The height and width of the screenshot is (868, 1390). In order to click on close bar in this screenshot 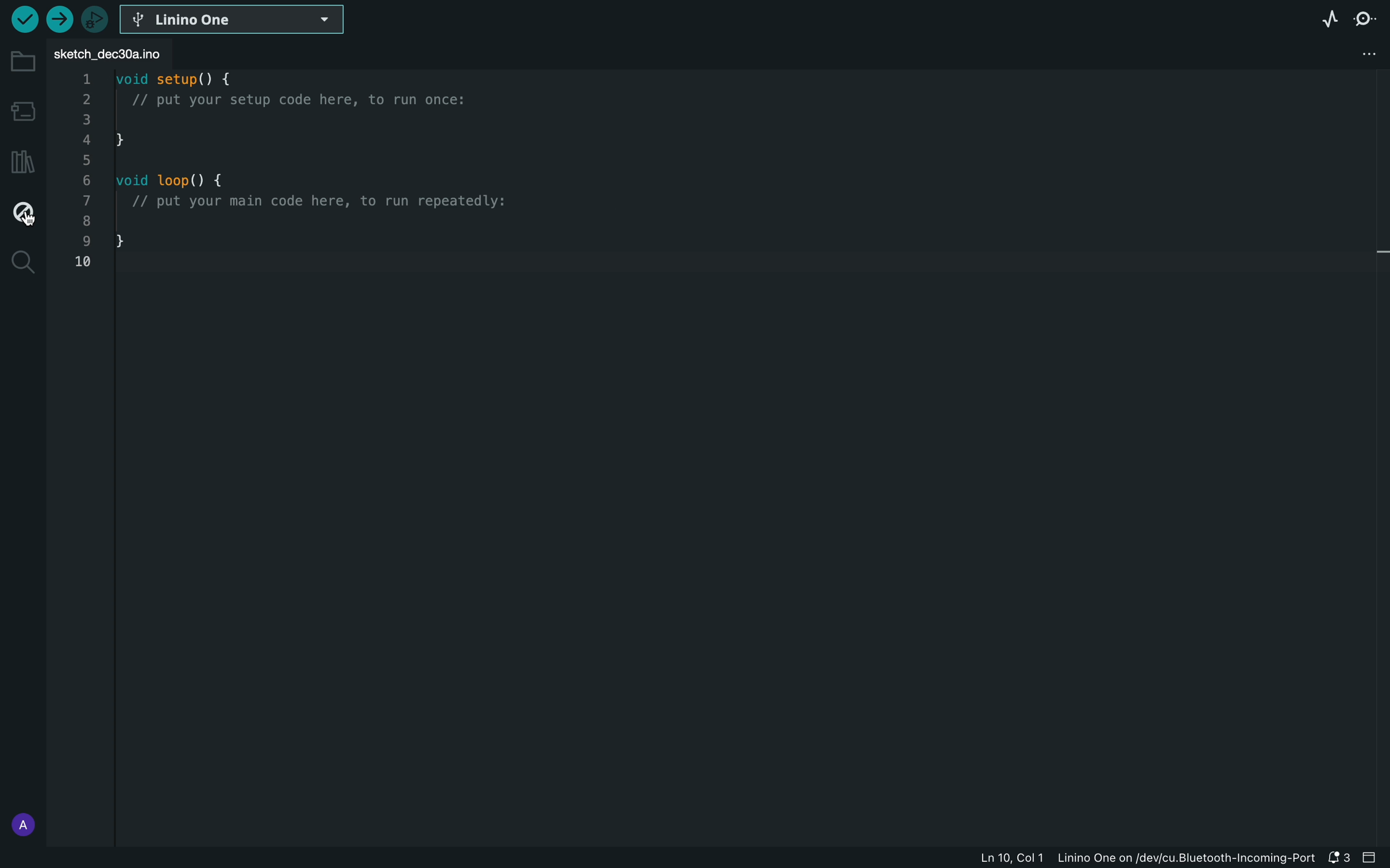, I will do `click(1373, 858)`.